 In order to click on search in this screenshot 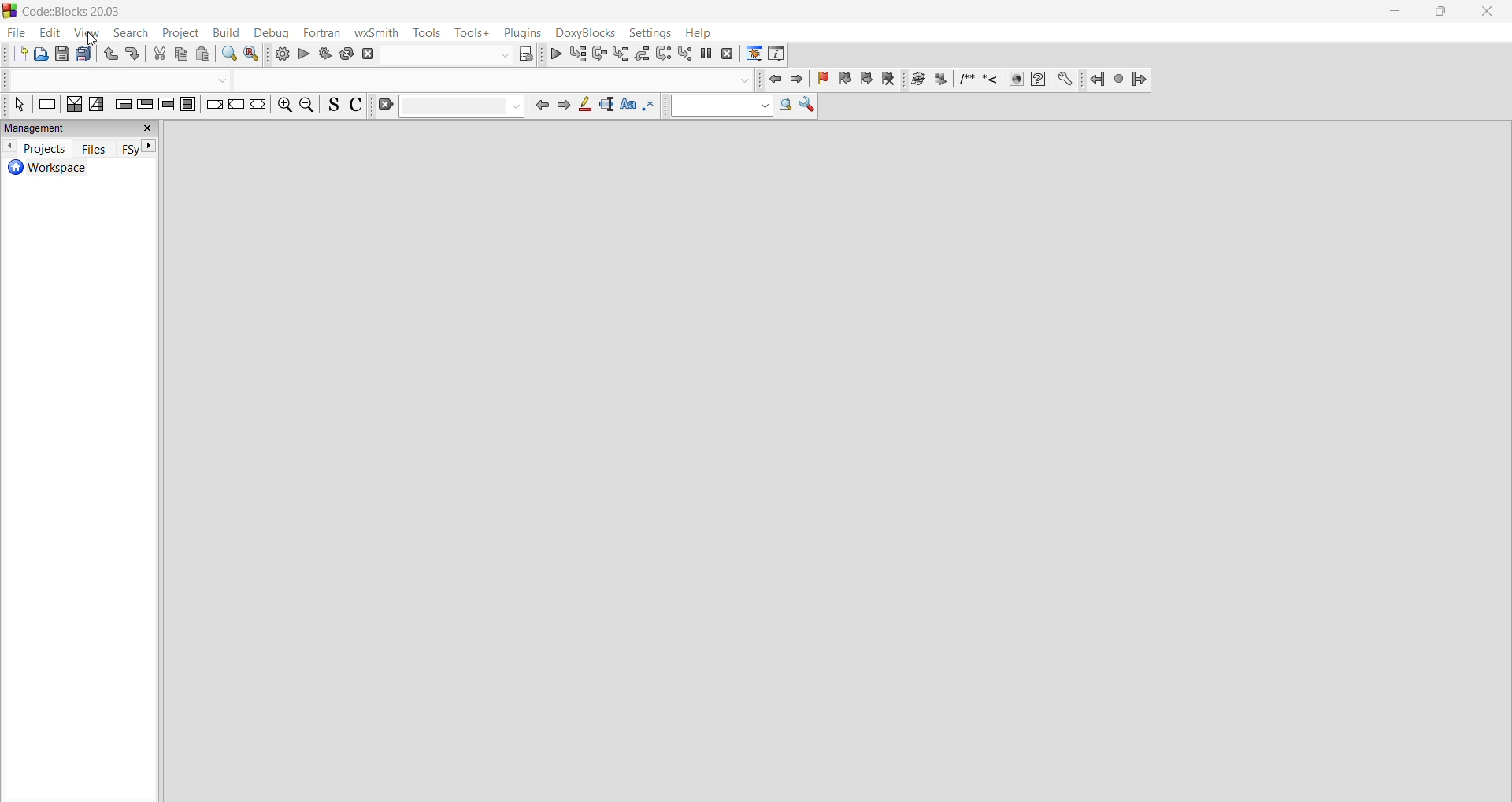, I will do `click(130, 33)`.